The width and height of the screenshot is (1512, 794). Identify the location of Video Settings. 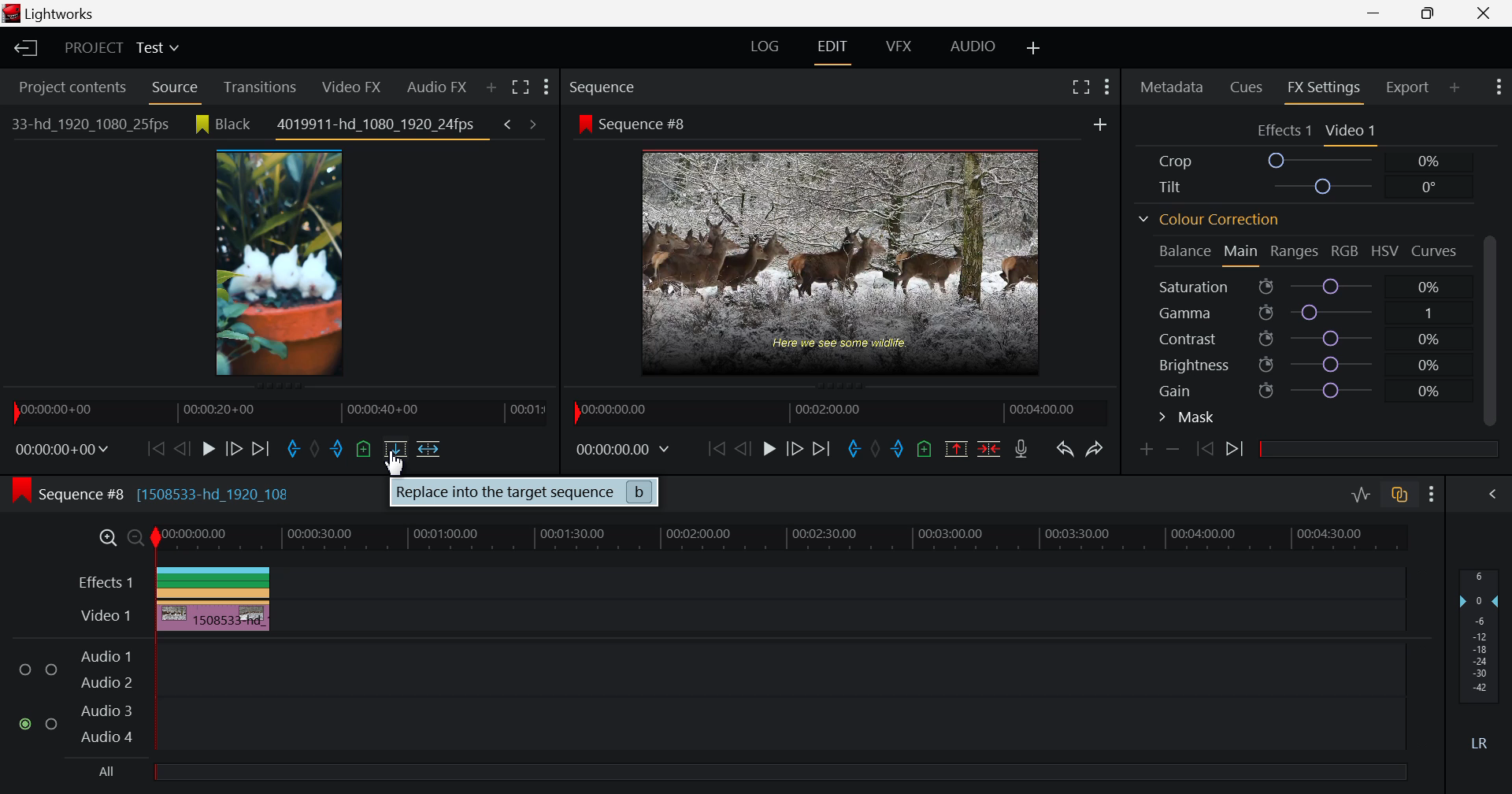
(1352, 132).